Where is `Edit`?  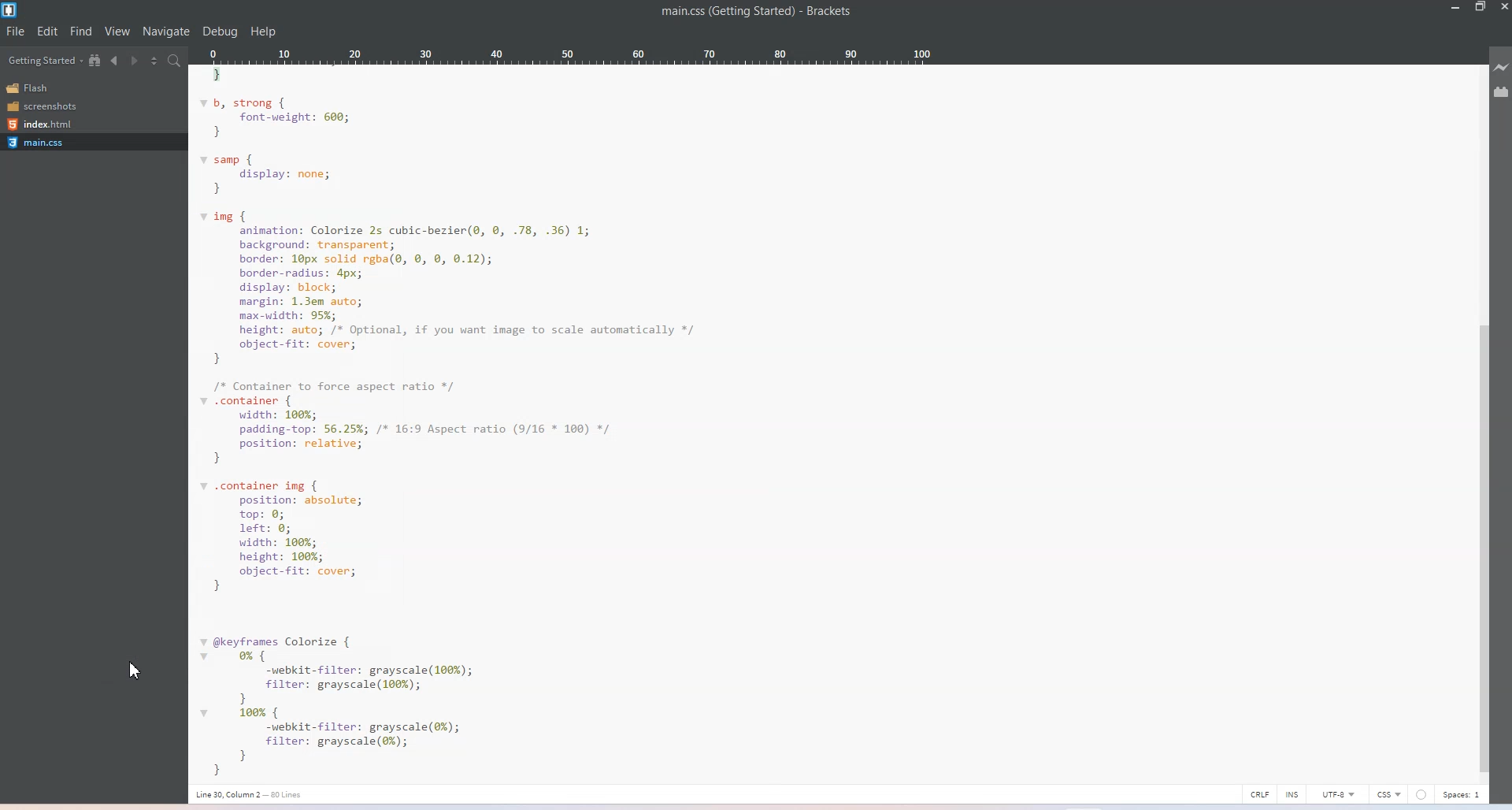 Edit is located at coordinates (48, 32).